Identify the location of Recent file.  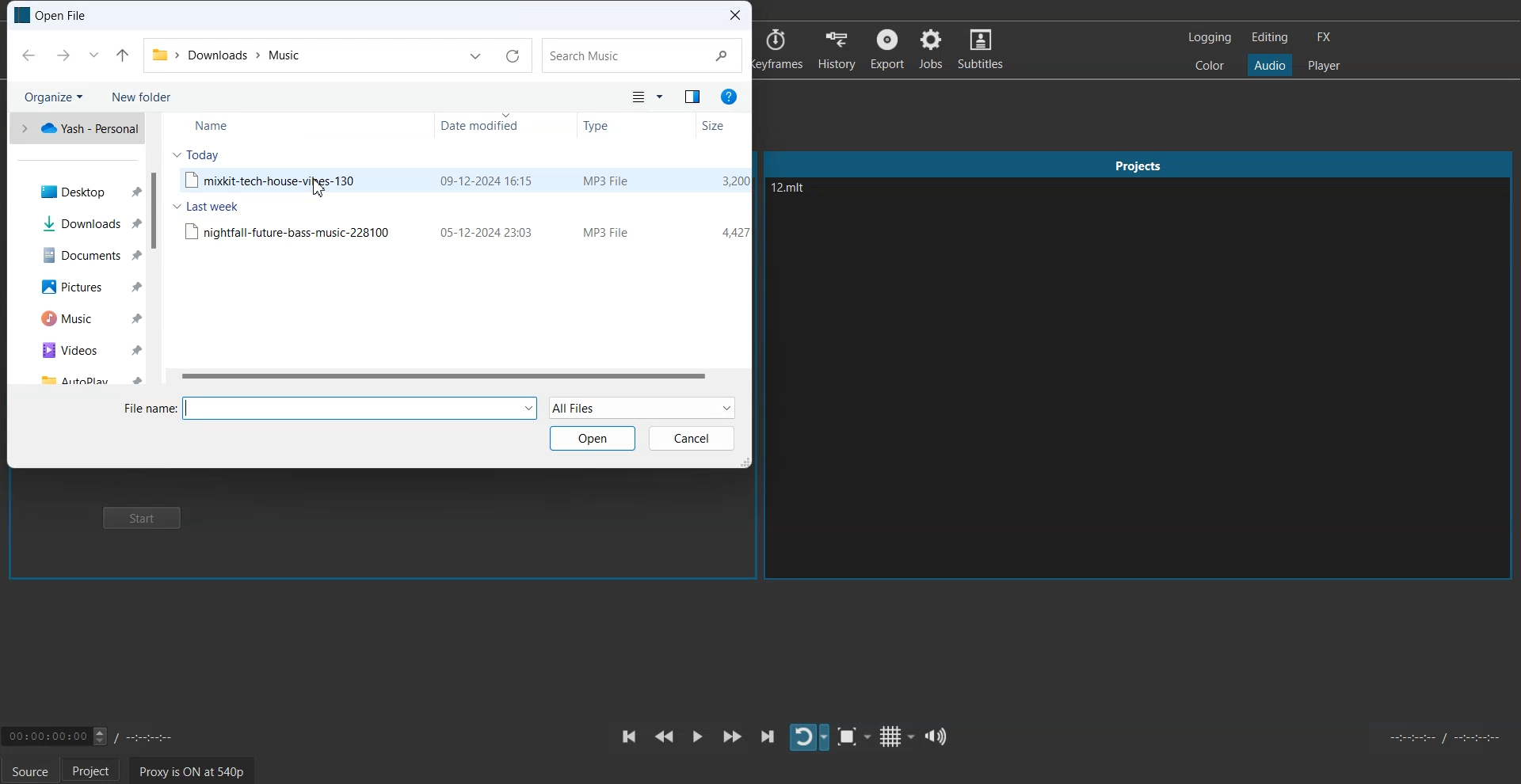
(93, 55).